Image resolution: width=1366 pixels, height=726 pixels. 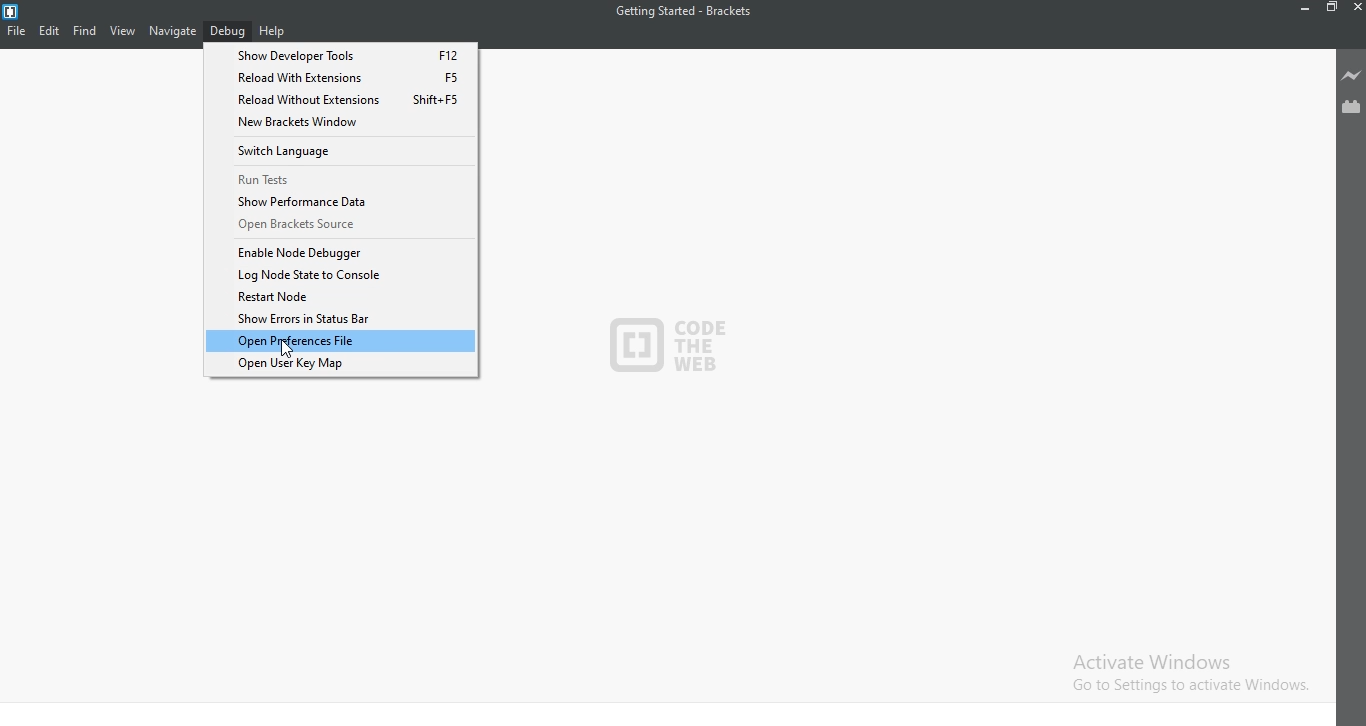 I want to click on open brackets source, so click(x=335, y=225).